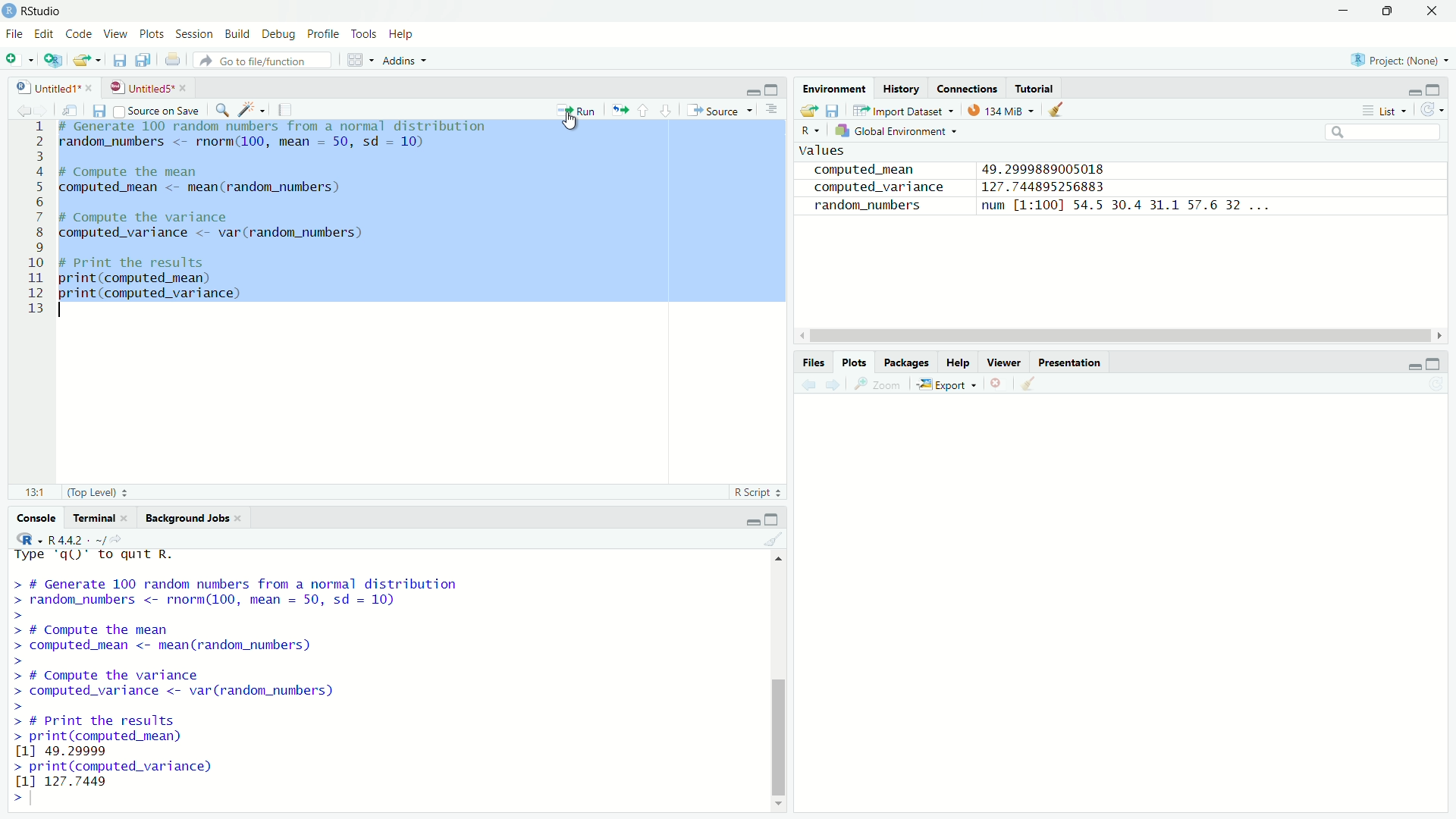  What do you see at coordinates (1127, 621) in the screenshot?
I see `empty plot area` at bounding box center [1127, 621].